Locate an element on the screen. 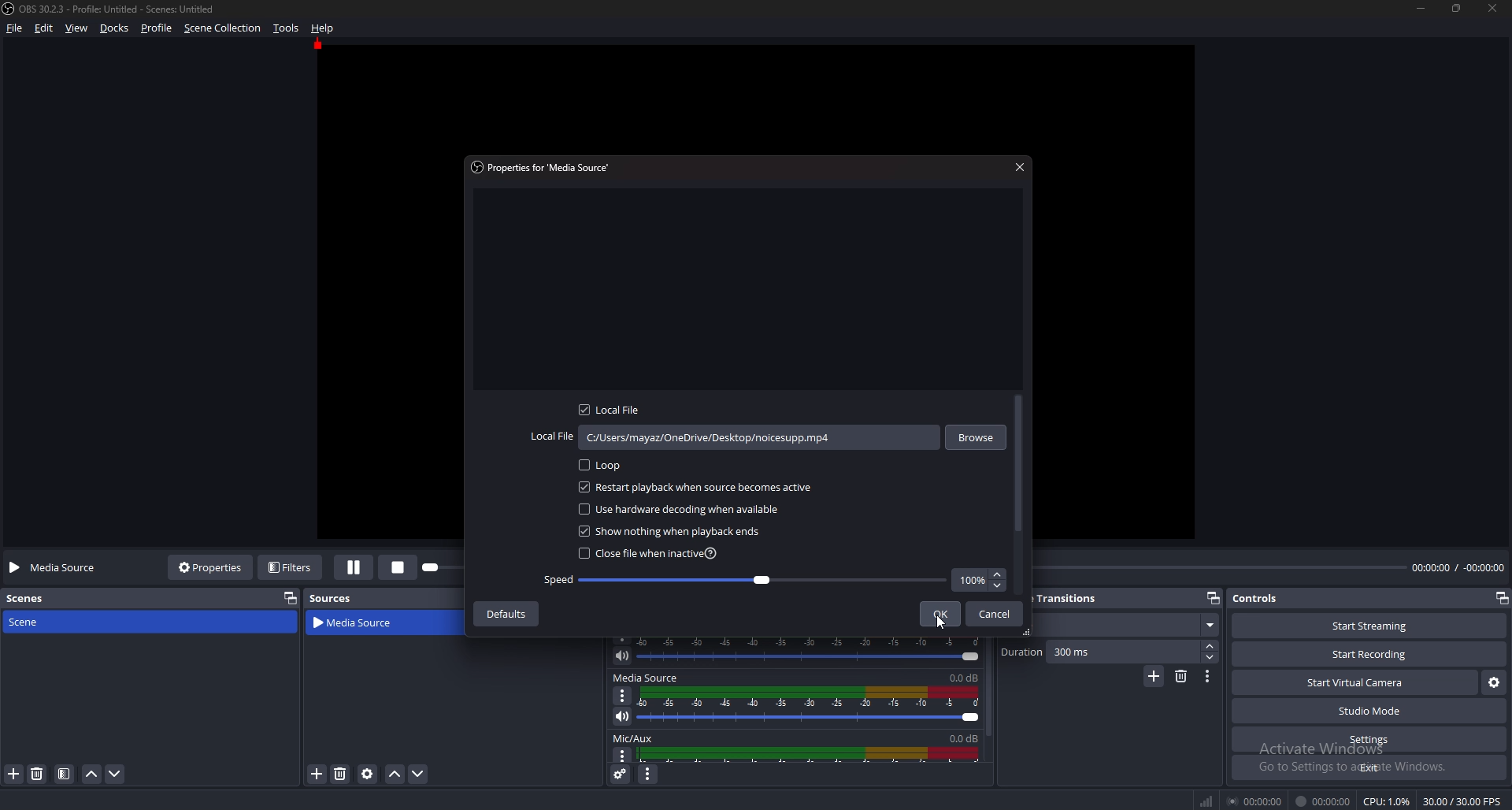 Image resolution: width=1512 pixels, height=810 pixels. pop out is located at coordinates (287, 597).